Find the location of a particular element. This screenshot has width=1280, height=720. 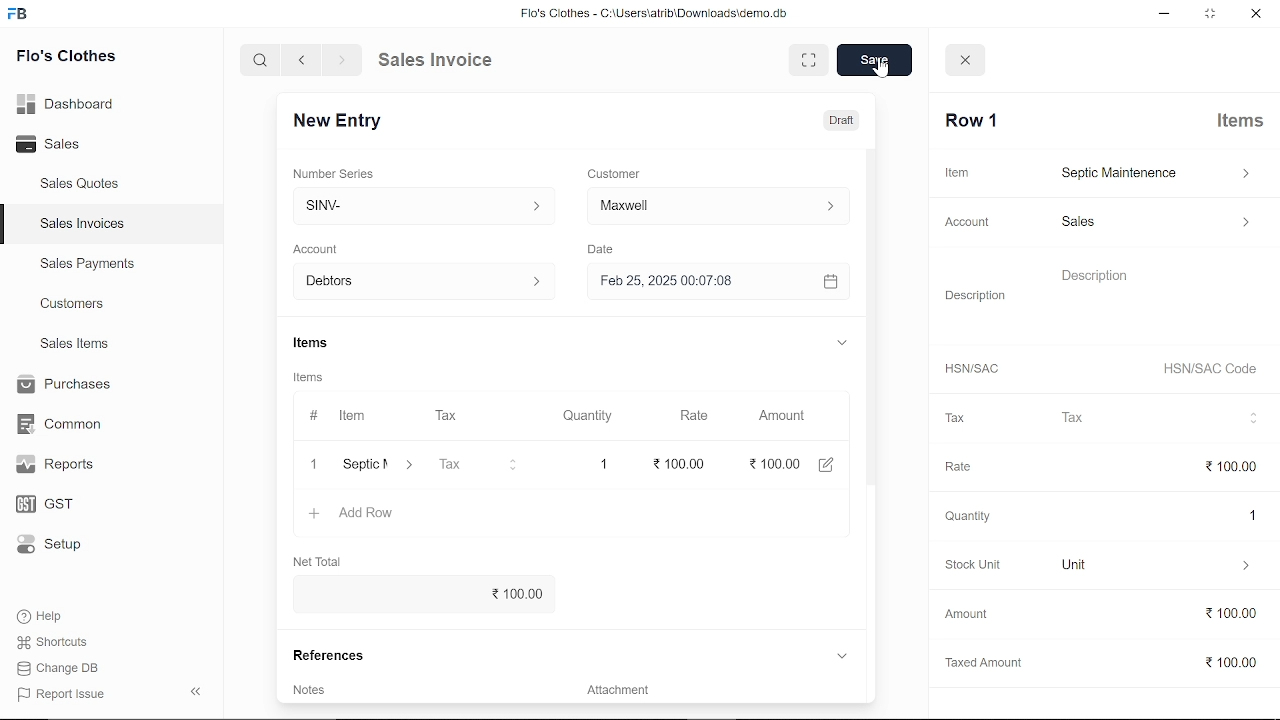

save is located at coordinates (875, 60).